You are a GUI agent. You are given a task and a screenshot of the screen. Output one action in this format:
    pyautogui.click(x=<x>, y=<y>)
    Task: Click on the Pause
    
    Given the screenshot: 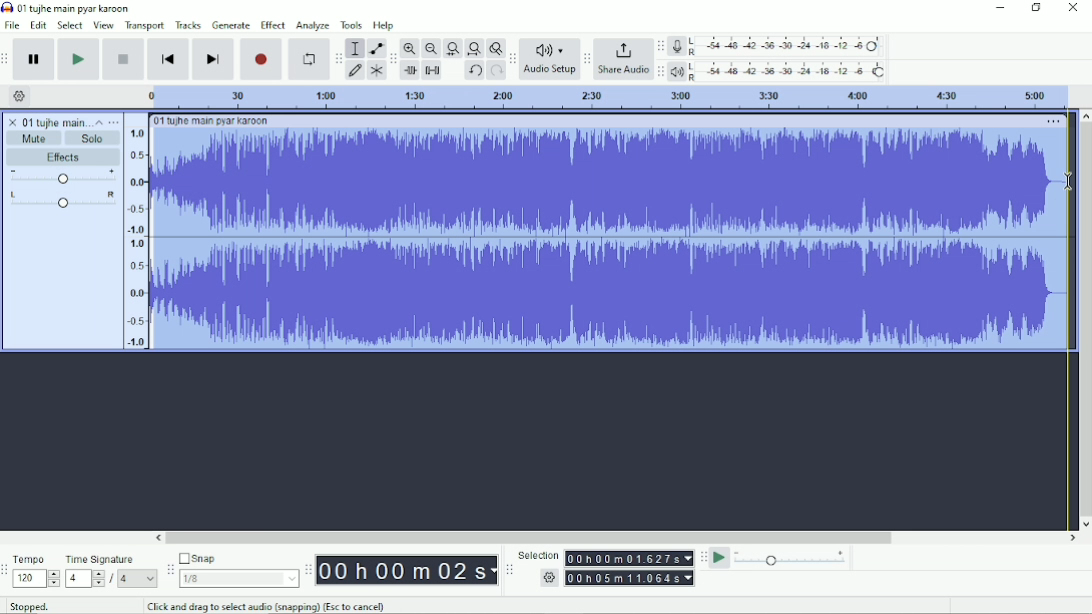 What is the action you would take?
    pyautogui.click(x=36, y=59)
    